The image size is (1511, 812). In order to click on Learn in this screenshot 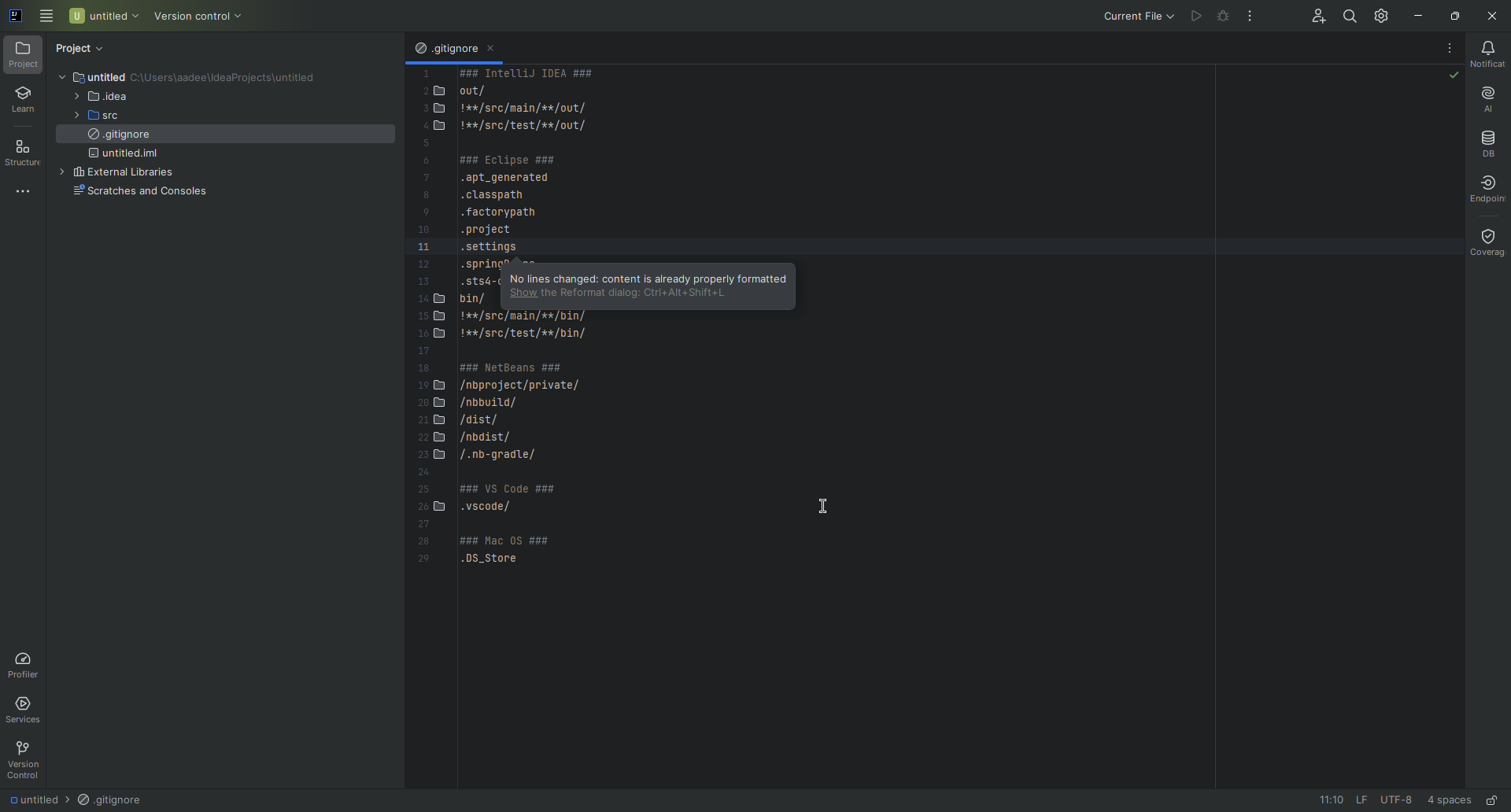, I will do `click(24, 100)`.